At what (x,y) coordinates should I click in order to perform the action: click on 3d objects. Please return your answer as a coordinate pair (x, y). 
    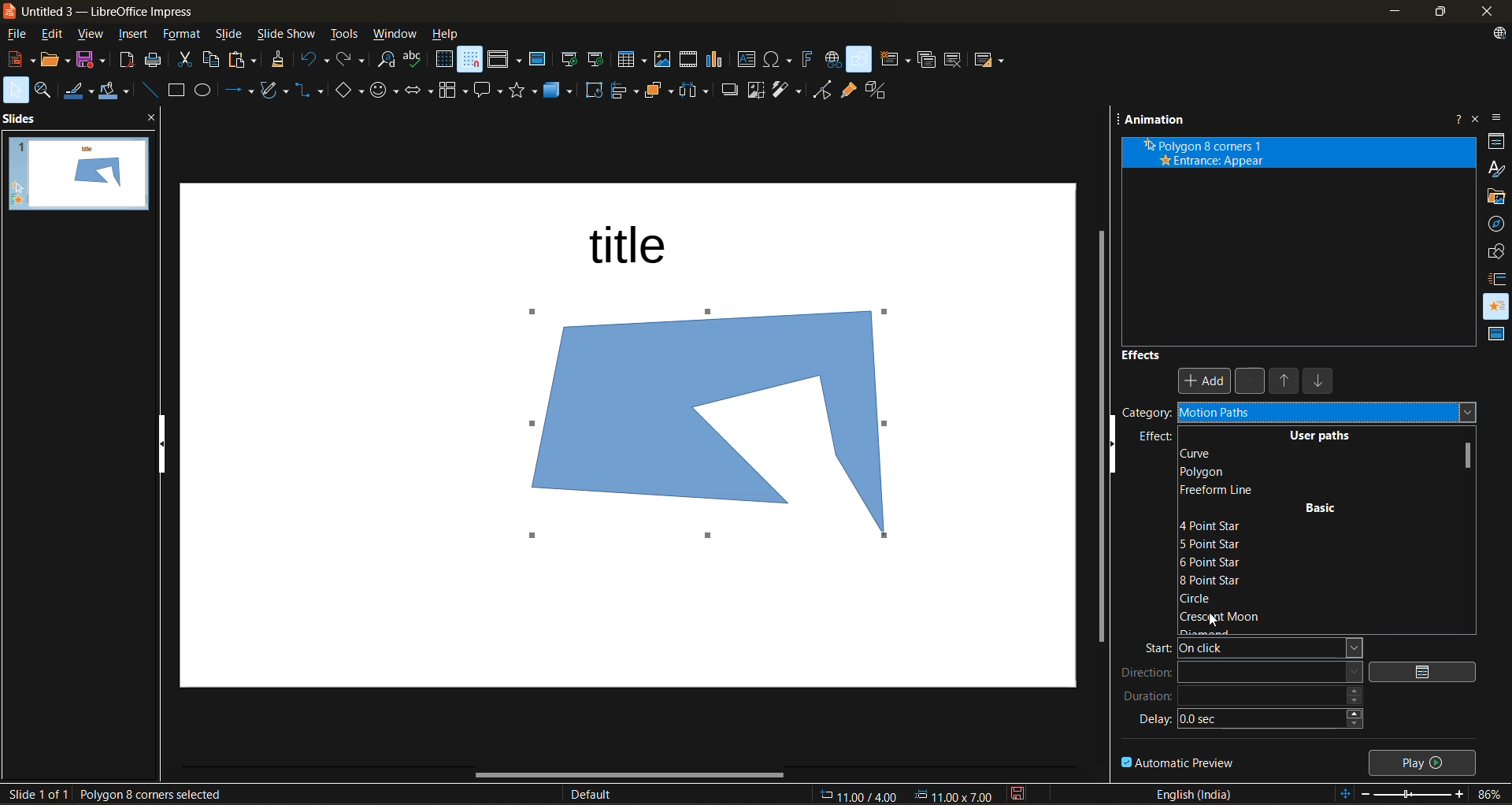
    Looking at the image, I should click on (561, 91).